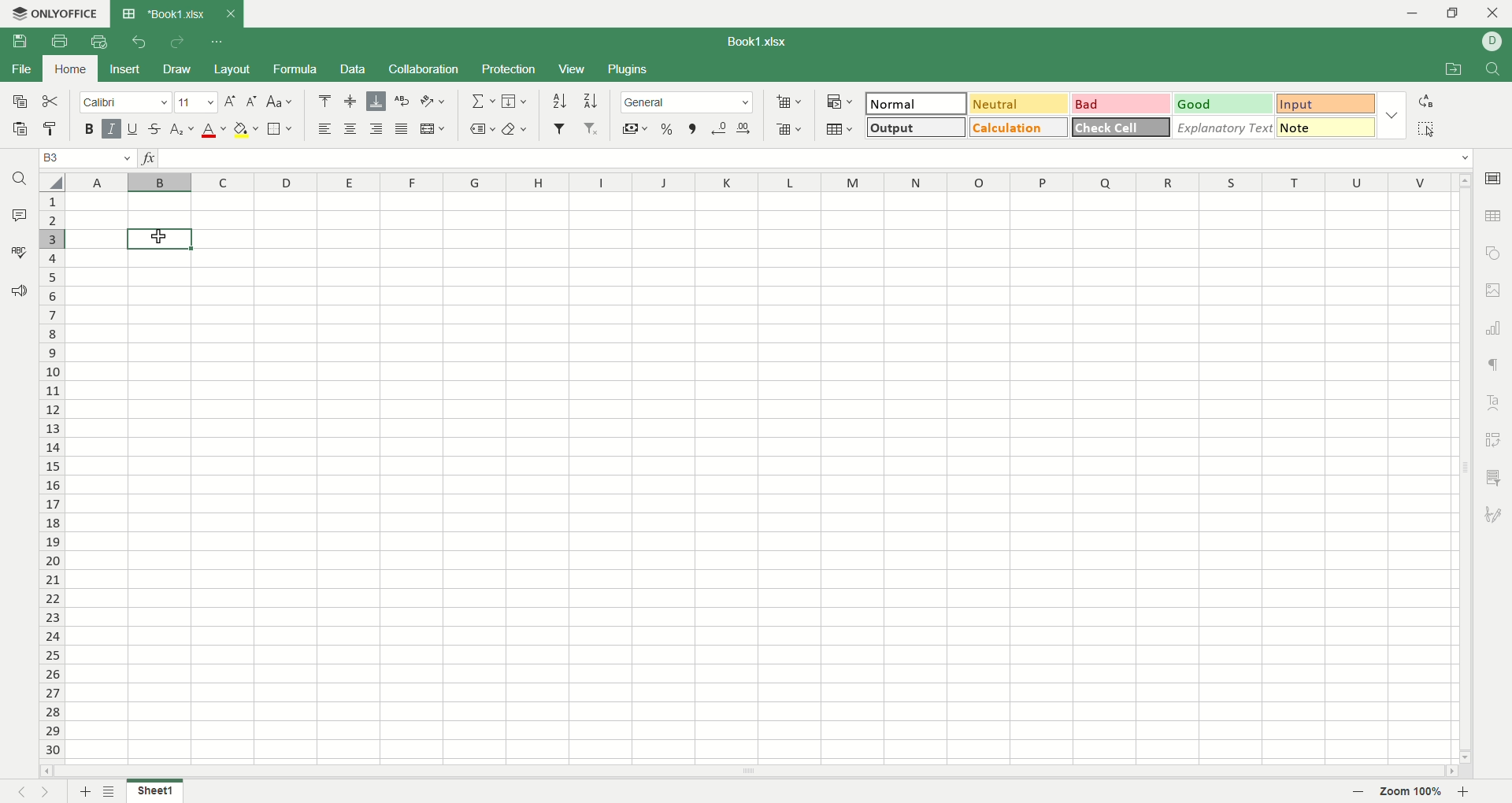  I want to click on slicer, so click(1496, 477).